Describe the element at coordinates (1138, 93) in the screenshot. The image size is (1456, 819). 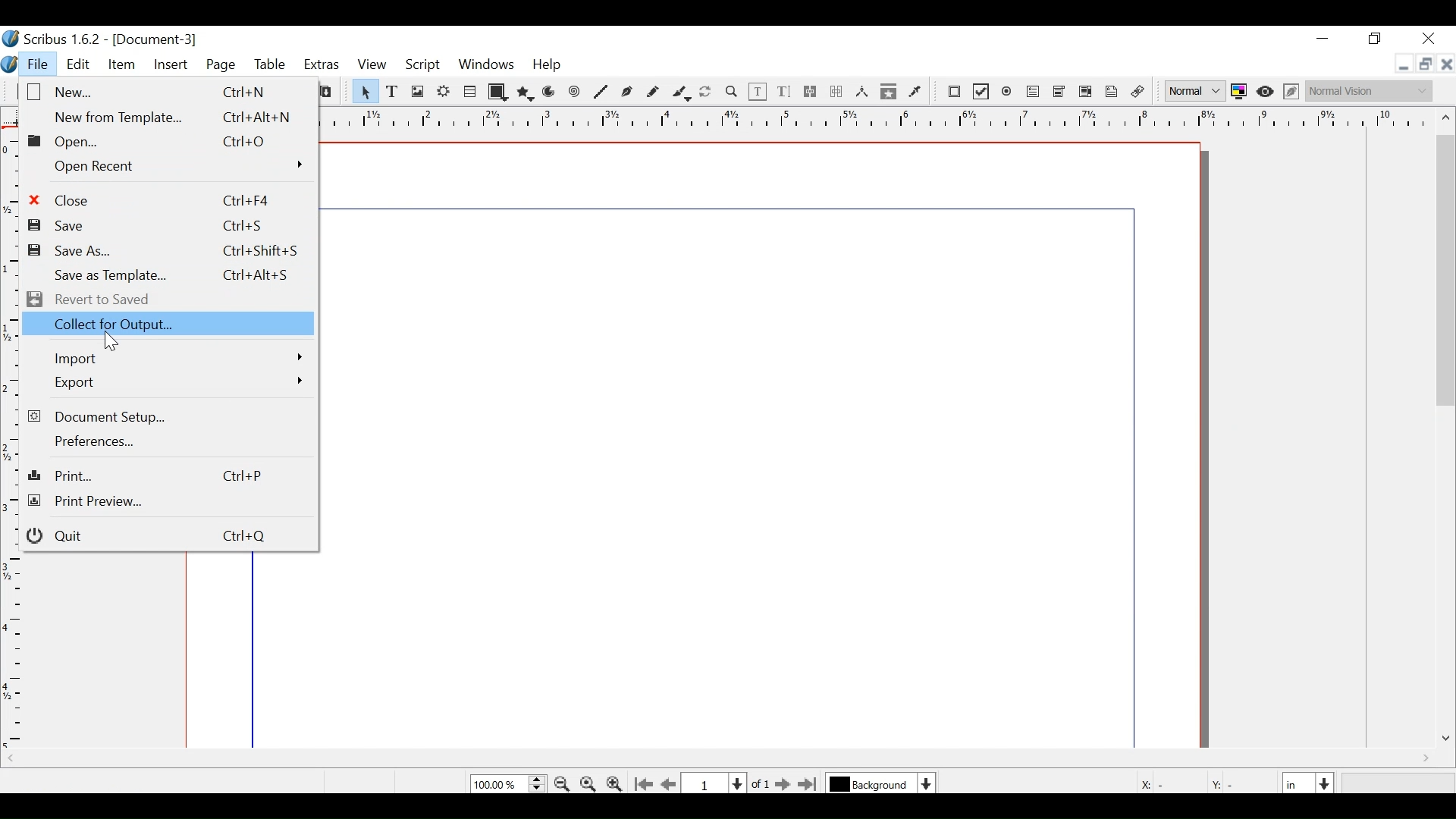
I see `Unlink Annotation` at that location.